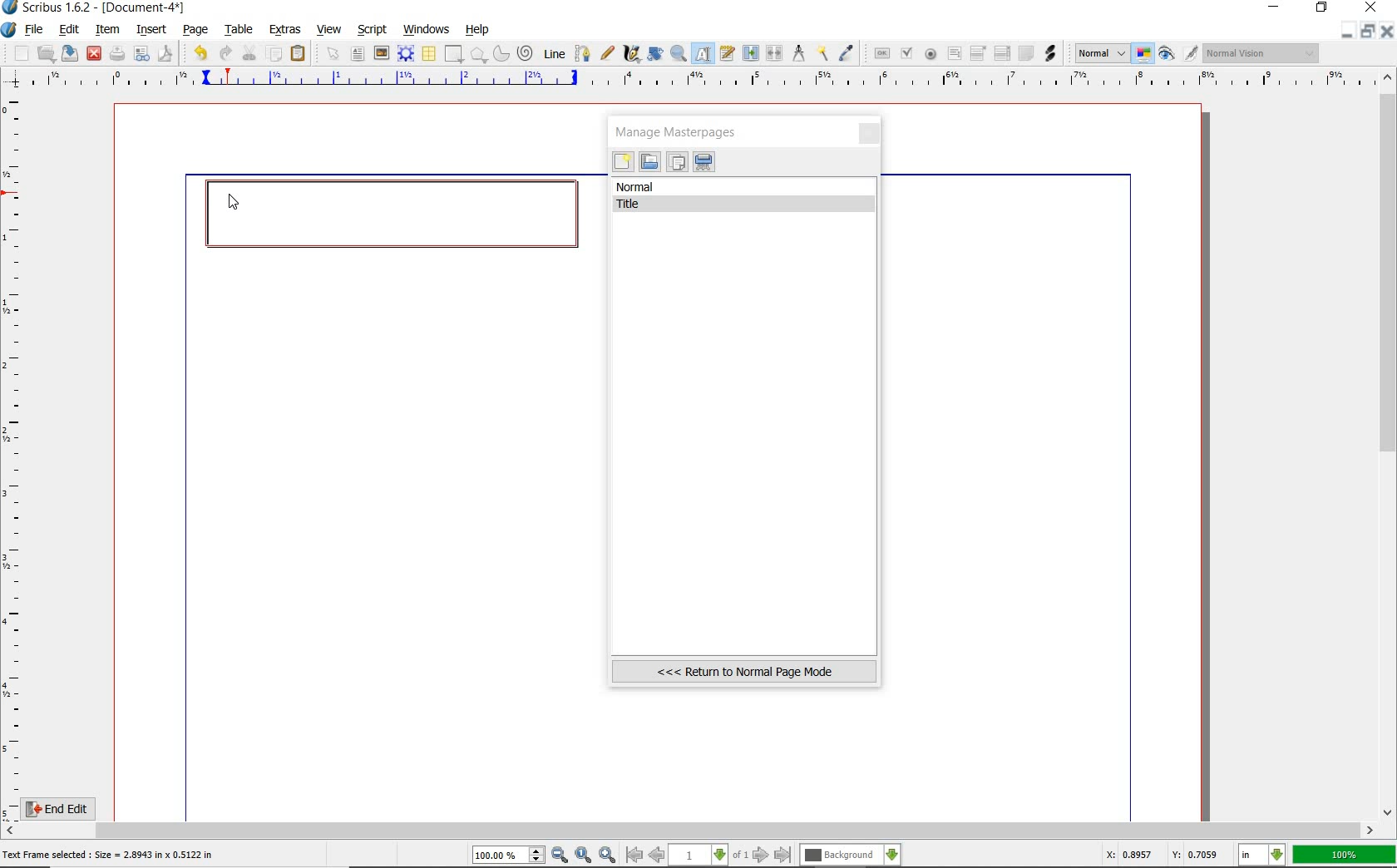 The width and height of the screenshot is (1397, 868). Describe the element at coordinates (783, 855) in the screenshot. I see `go to last page` at that location.